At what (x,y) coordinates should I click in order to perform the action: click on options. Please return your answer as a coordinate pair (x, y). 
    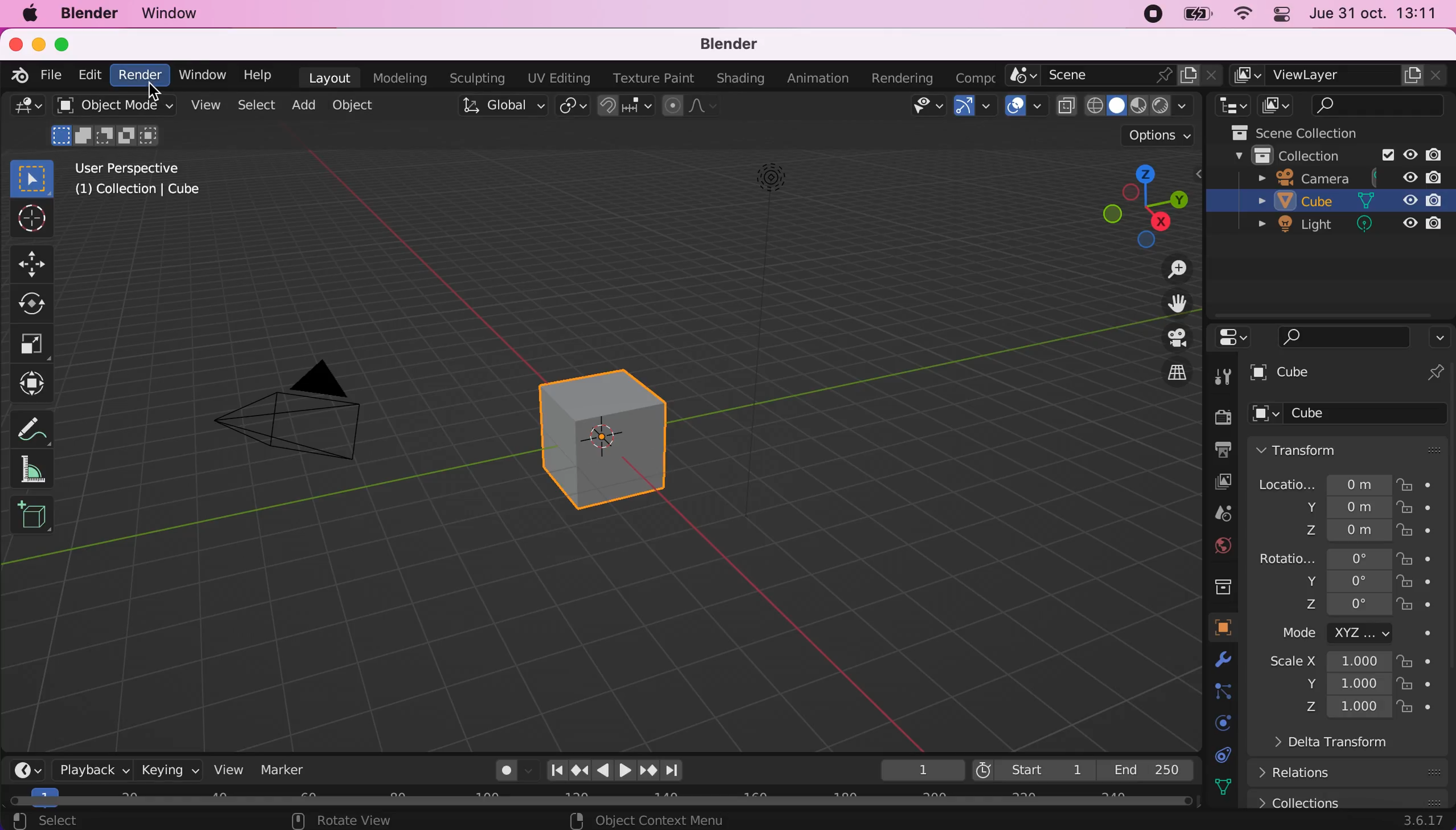
    Looking at the image, I should click on (1157, 138).